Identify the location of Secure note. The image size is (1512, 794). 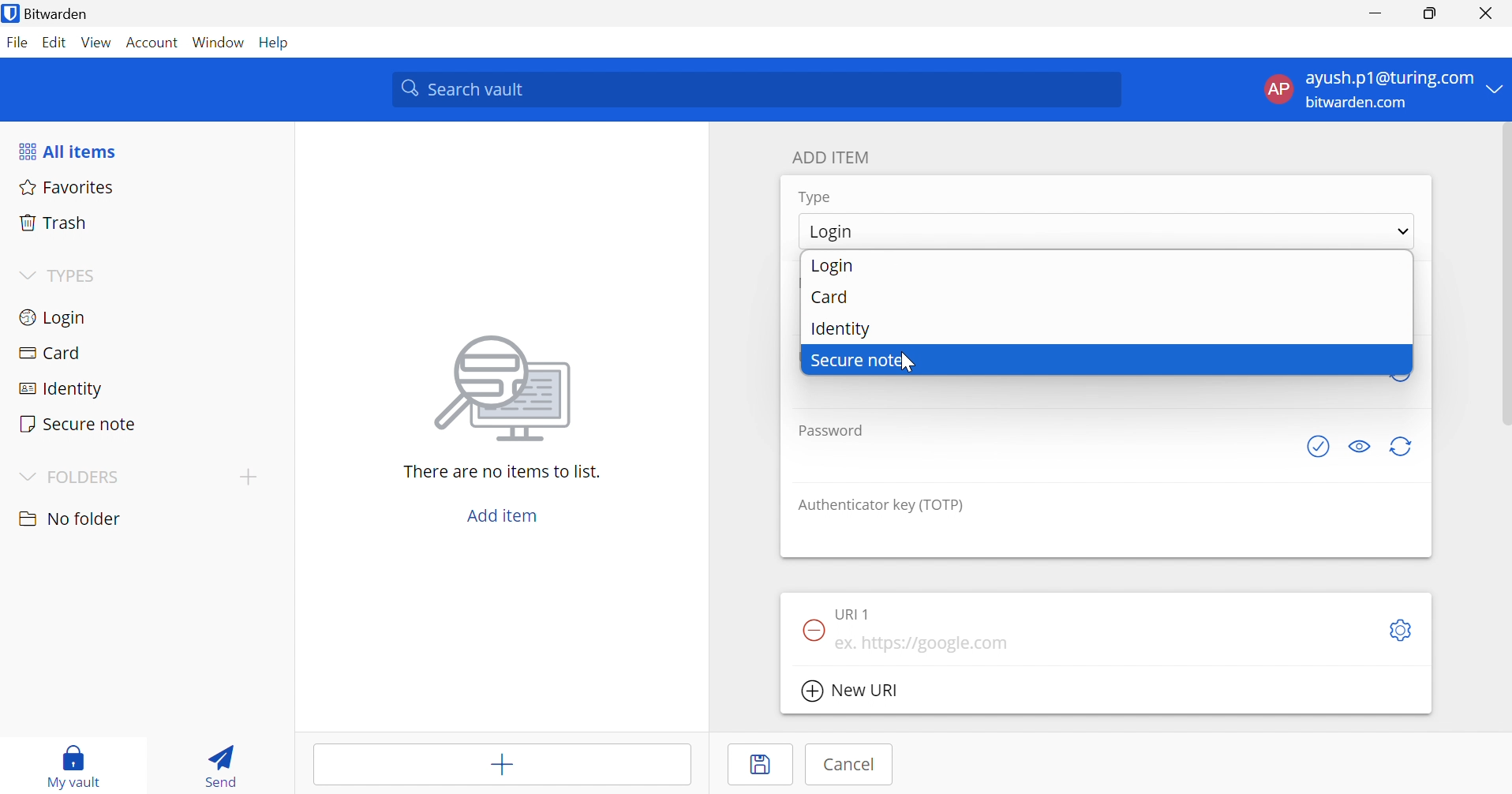
(79, 423).